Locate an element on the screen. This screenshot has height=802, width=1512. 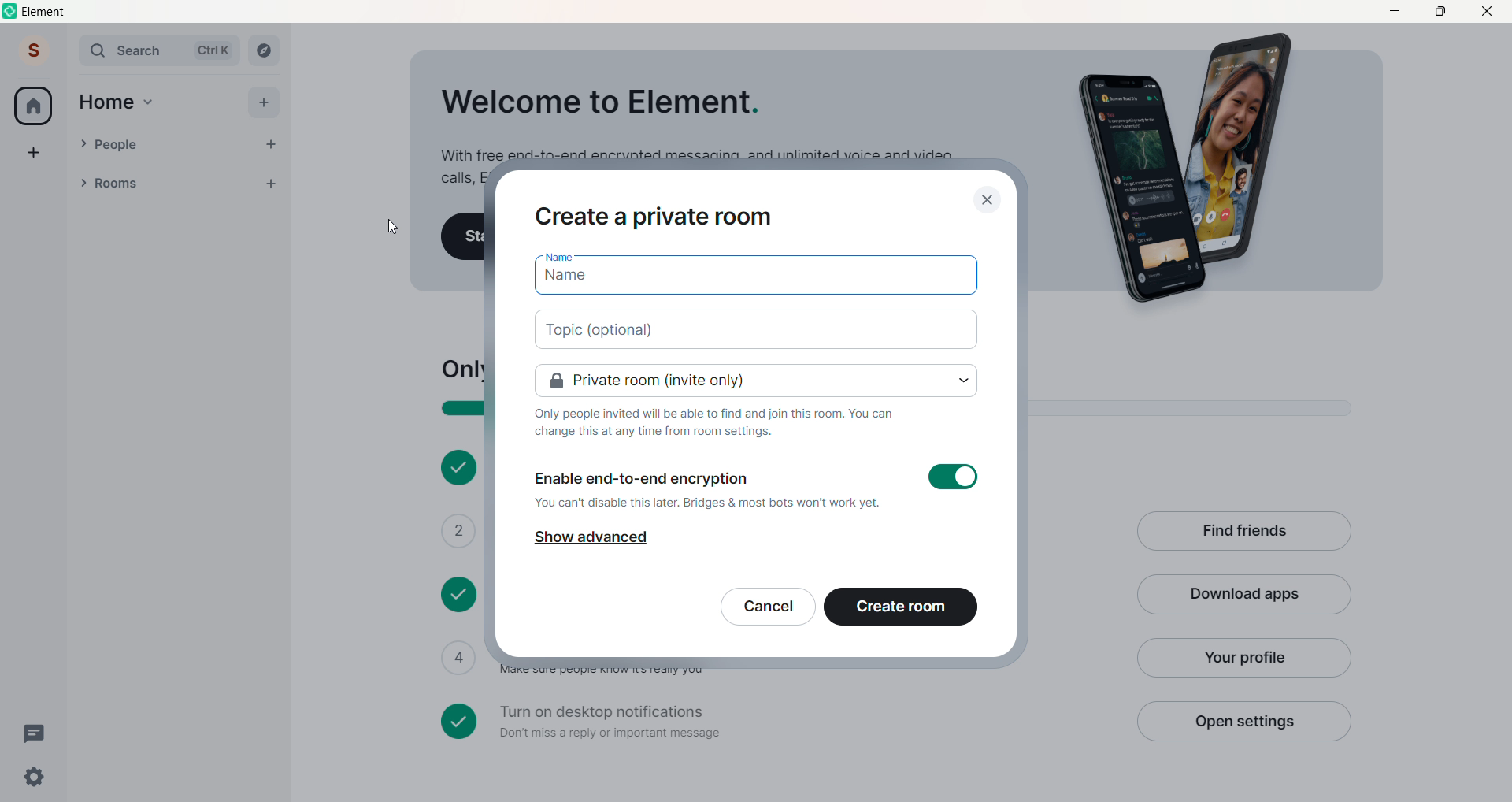
Ctrl K is located at coordinates (213, 50).